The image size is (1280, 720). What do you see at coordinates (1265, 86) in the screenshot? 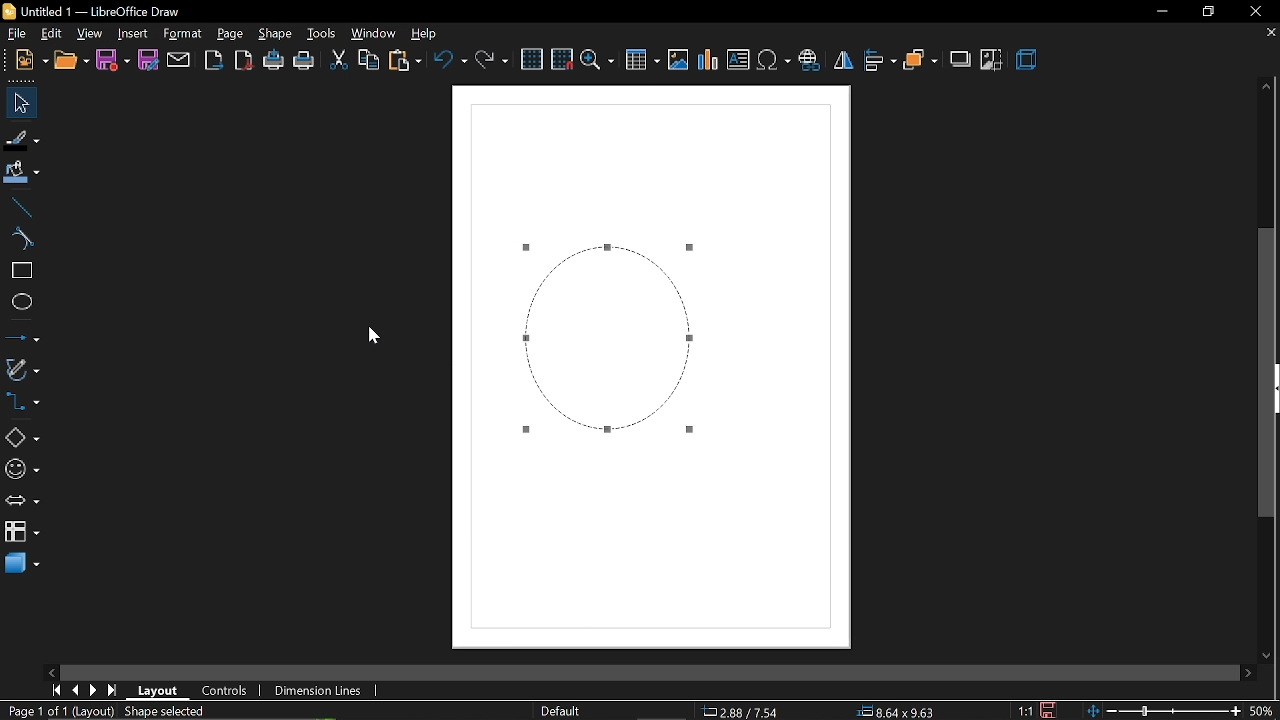
I see `move up` at bounding box center [1265, 86].